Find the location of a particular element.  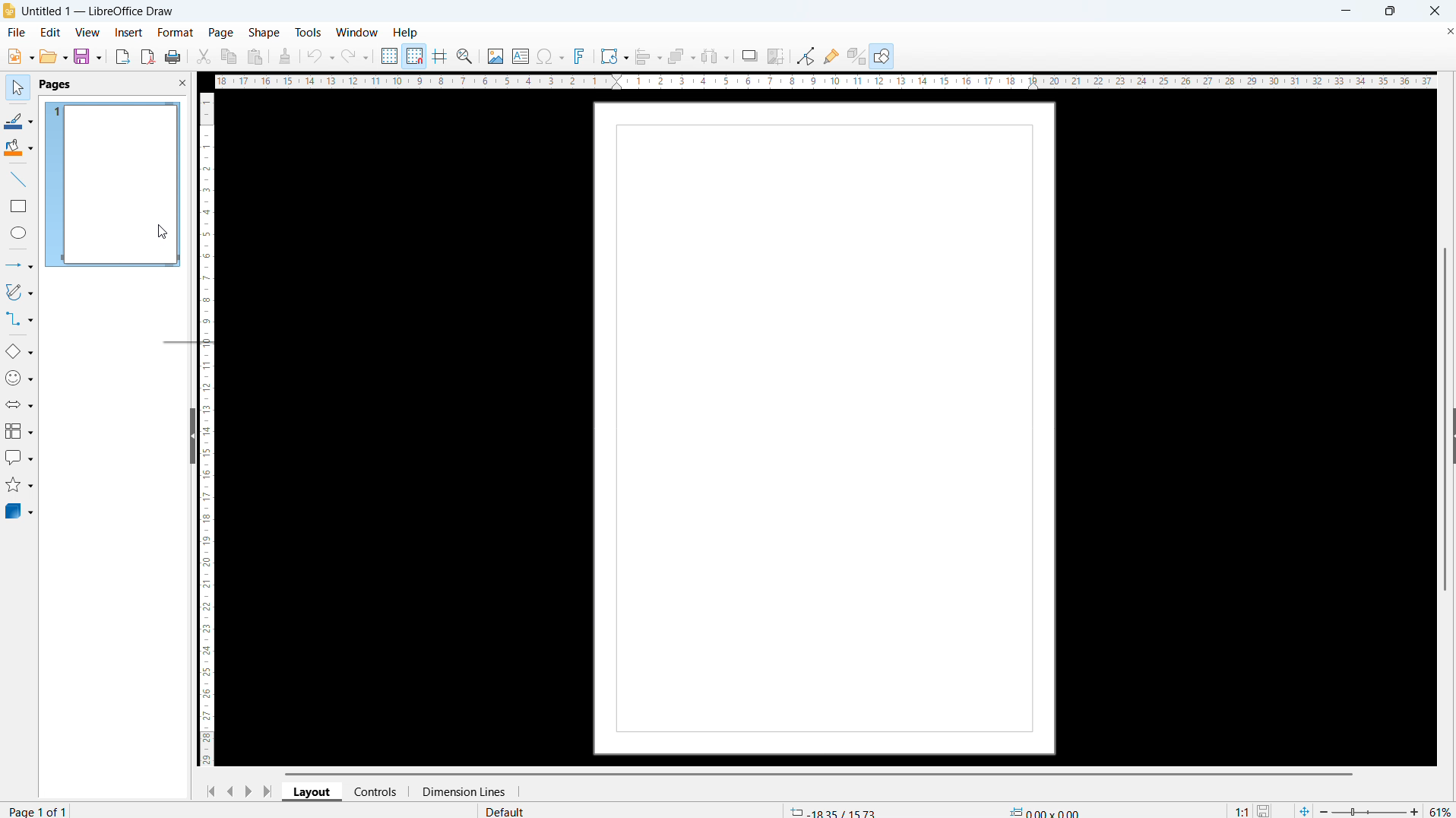

new is located at coordinates (18, 56).